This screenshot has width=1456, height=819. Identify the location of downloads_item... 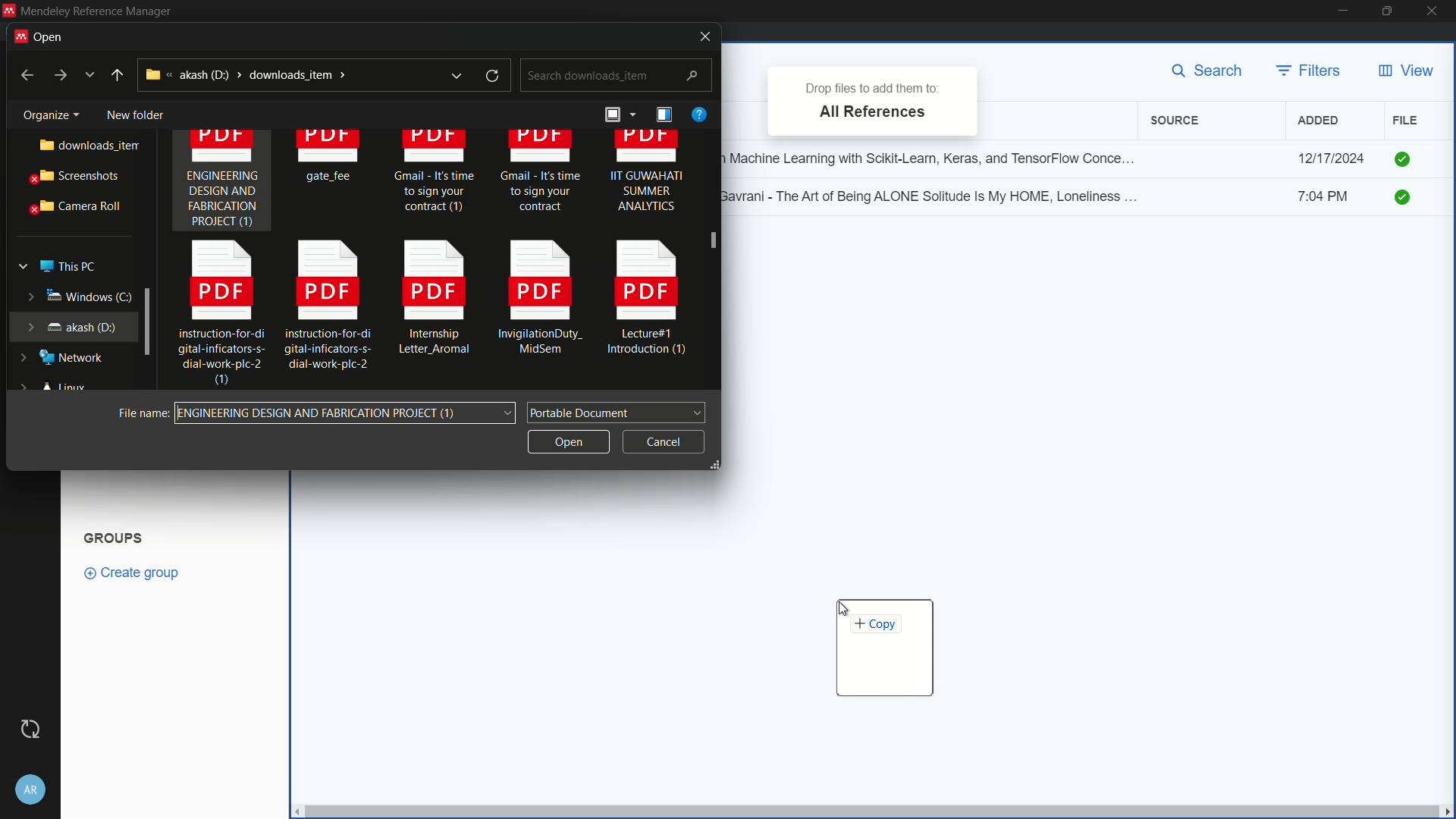
(77, 146).